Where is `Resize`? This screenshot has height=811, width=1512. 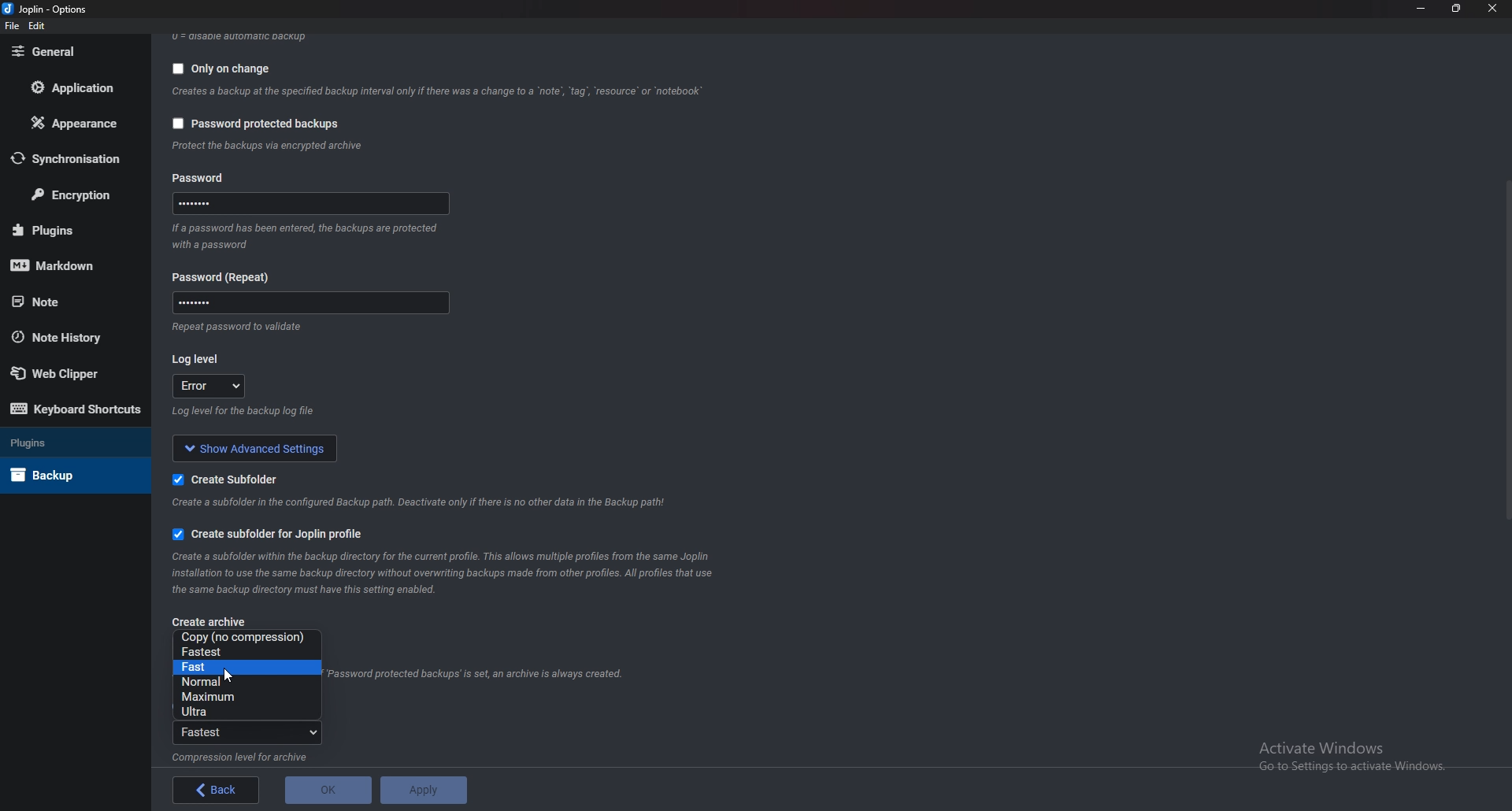
Resize is located at coordinates (1458, 8).